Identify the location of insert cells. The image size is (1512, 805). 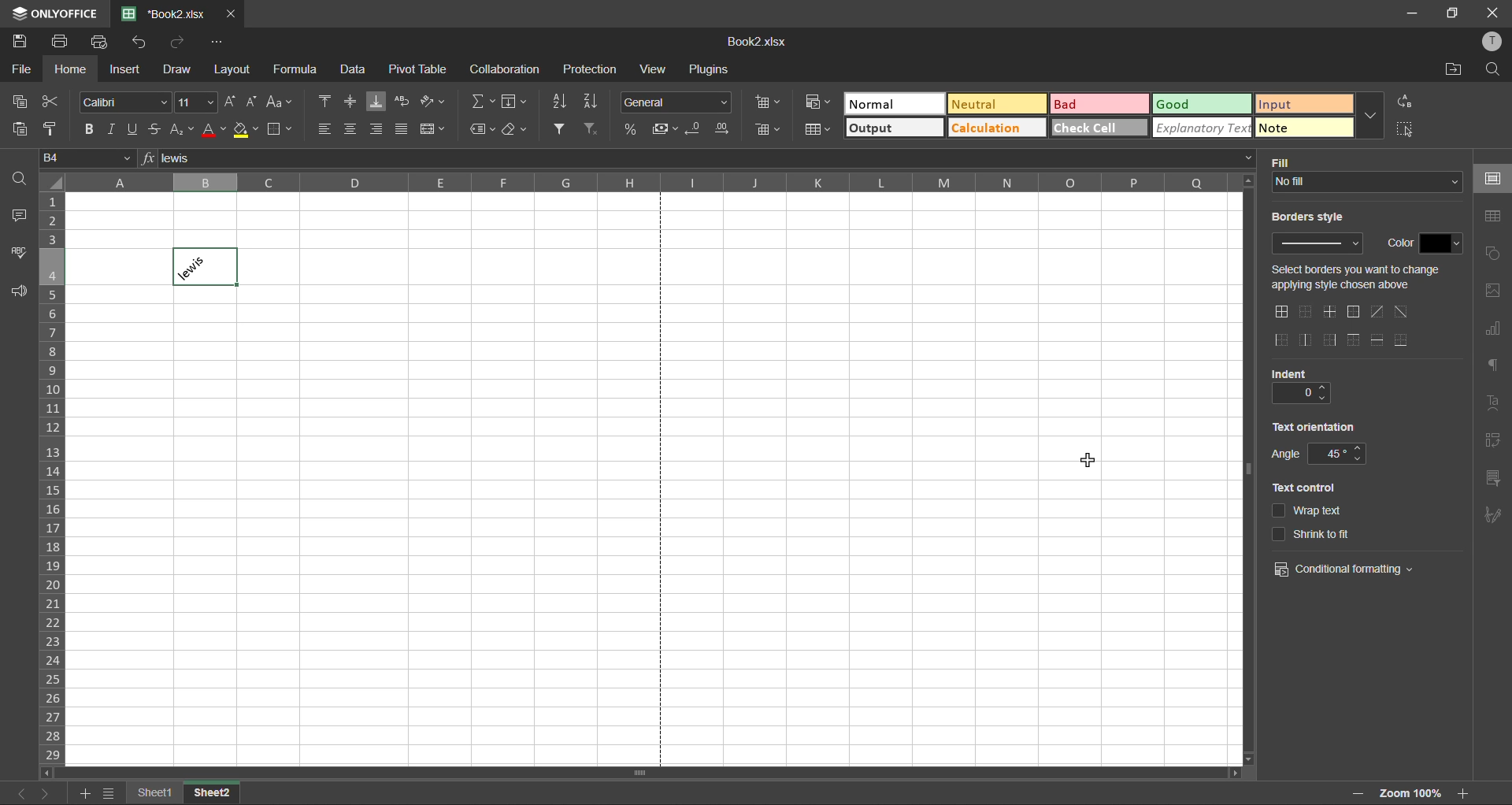
(771, 104).